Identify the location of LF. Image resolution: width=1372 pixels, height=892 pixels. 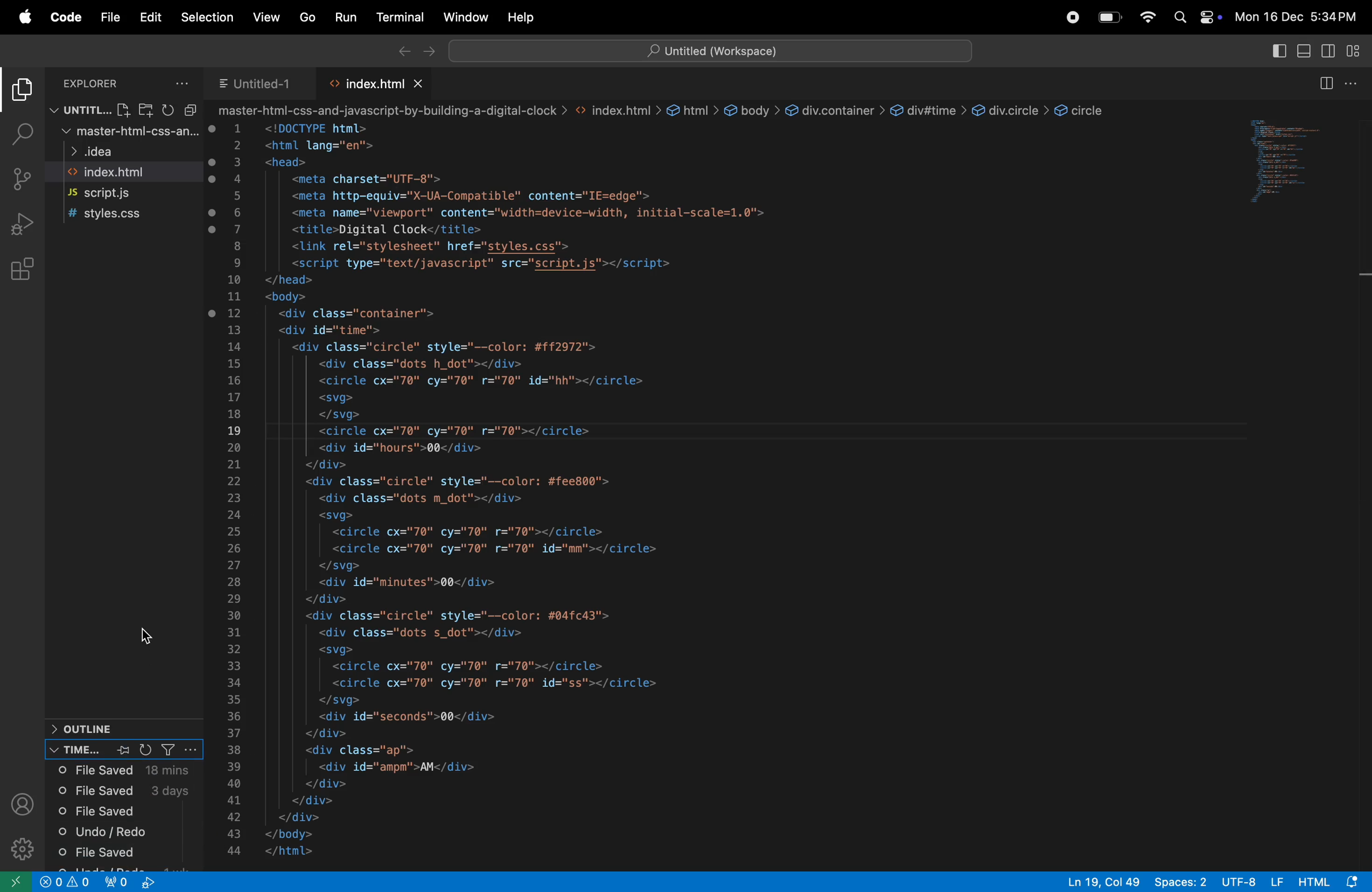
(1276, 881).